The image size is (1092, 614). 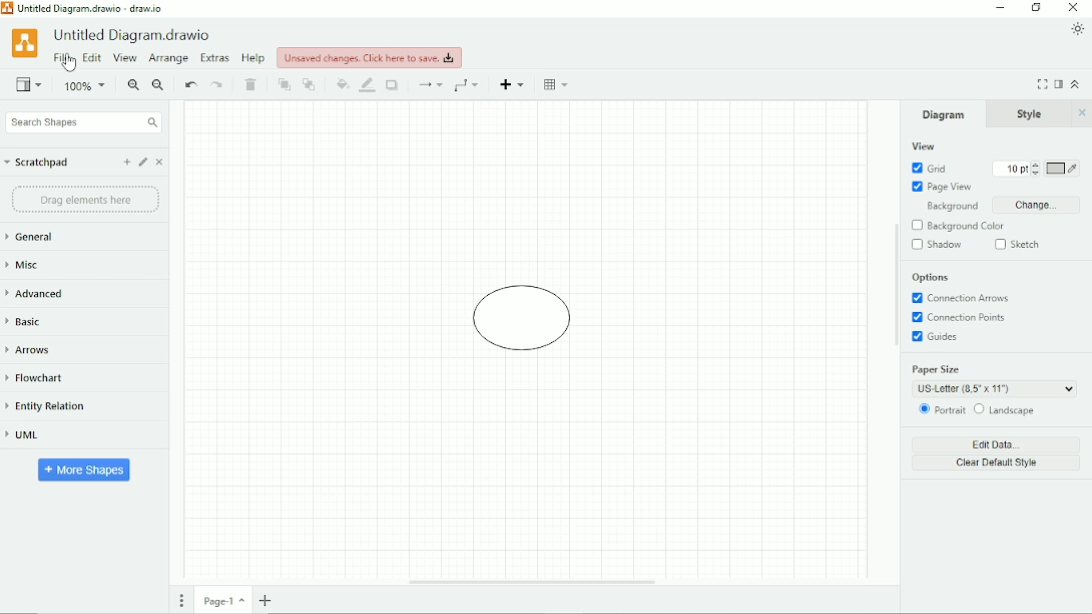 What do you see at coordinates (215, 58) in the screenshot?
I see `Extras` at bounding box center [215, 58].